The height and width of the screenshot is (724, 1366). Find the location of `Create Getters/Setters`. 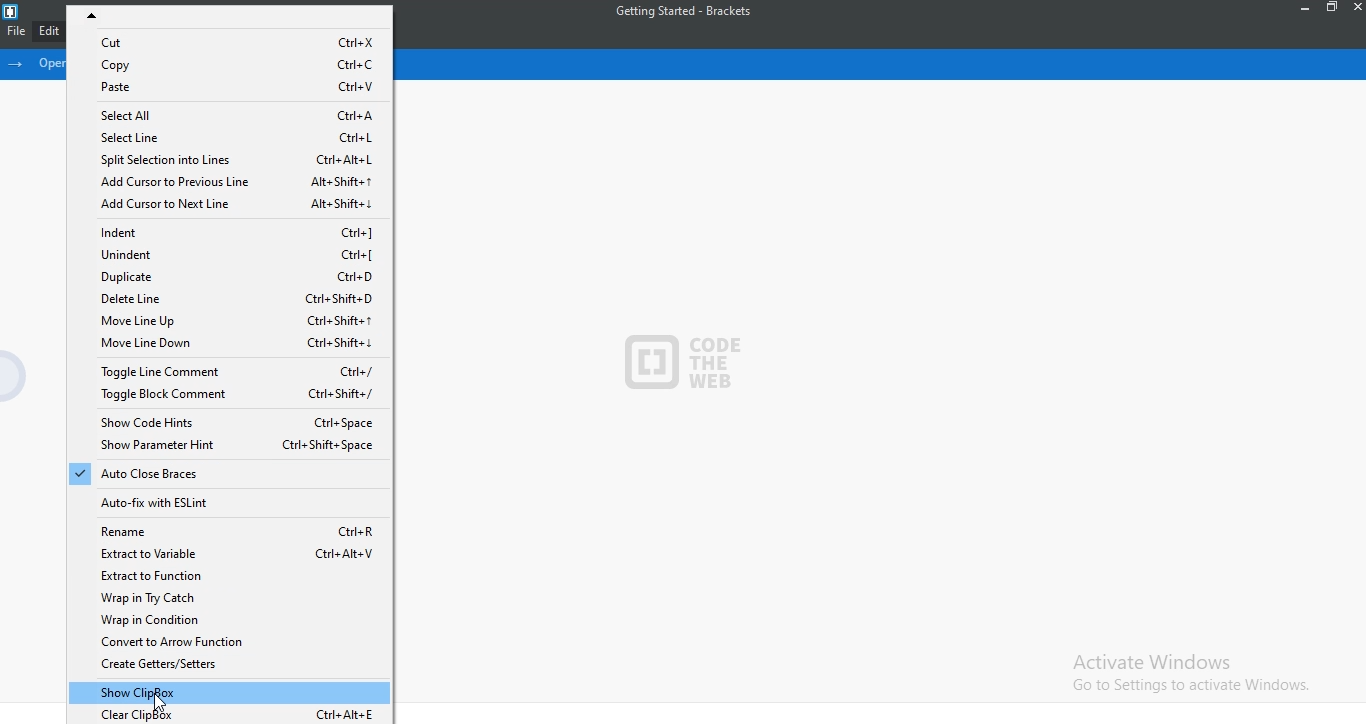

Create Getters/Setters is located at coordinates (229, 668).